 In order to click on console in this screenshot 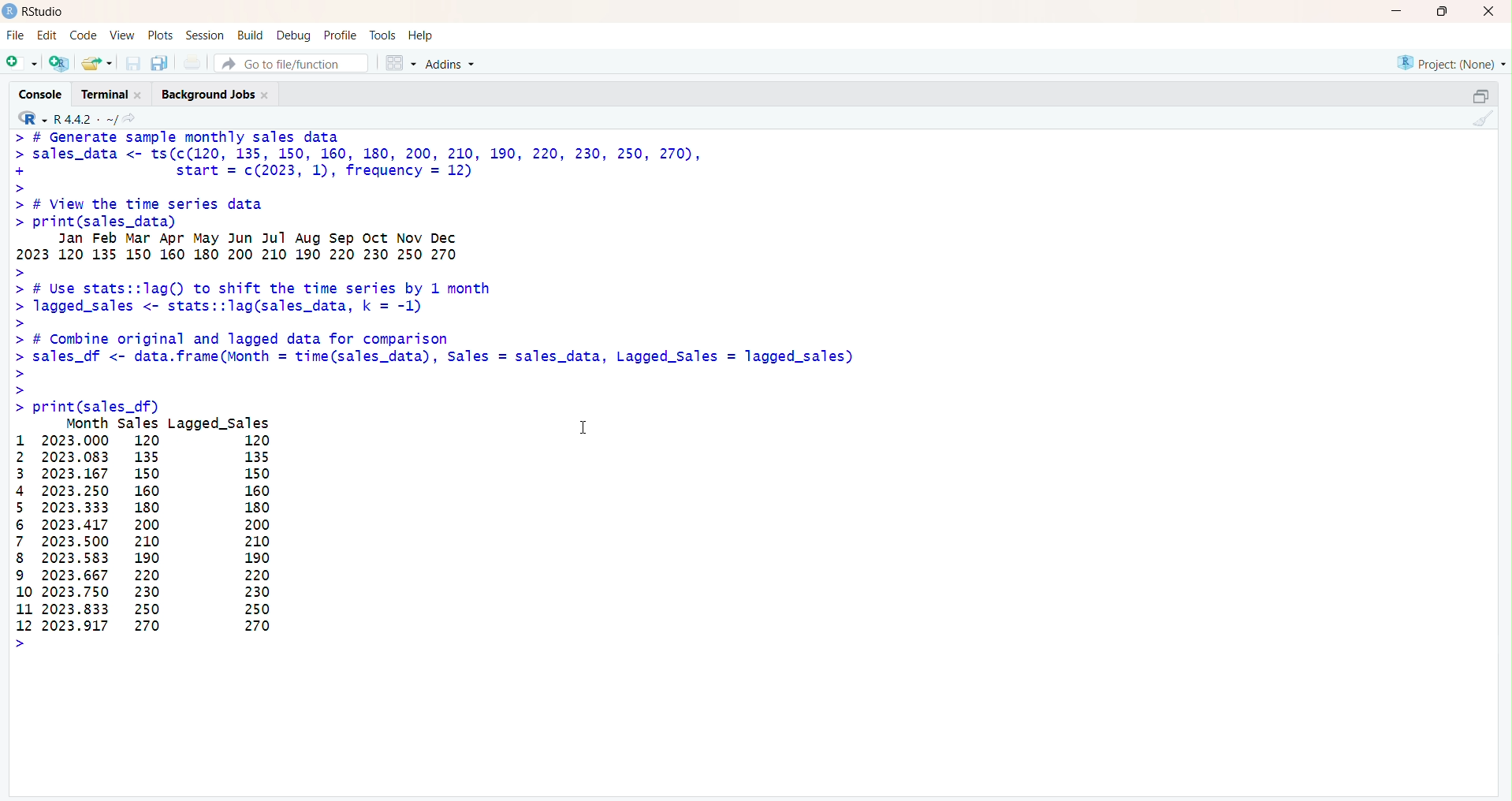, I will do `click(41, 95)`.